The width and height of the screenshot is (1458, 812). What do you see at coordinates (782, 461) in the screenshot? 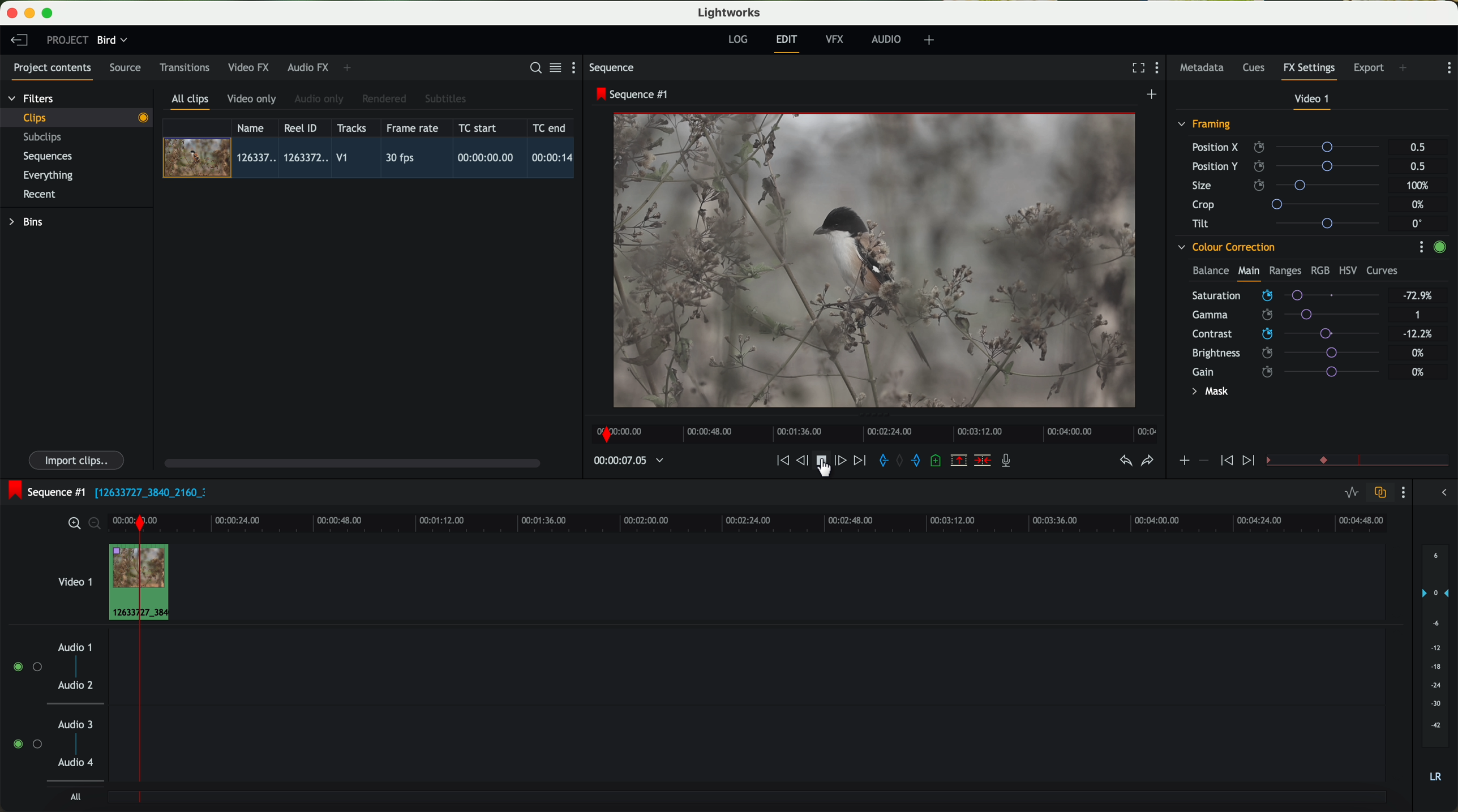
I see `rewind` at bounding box center [782, 461].